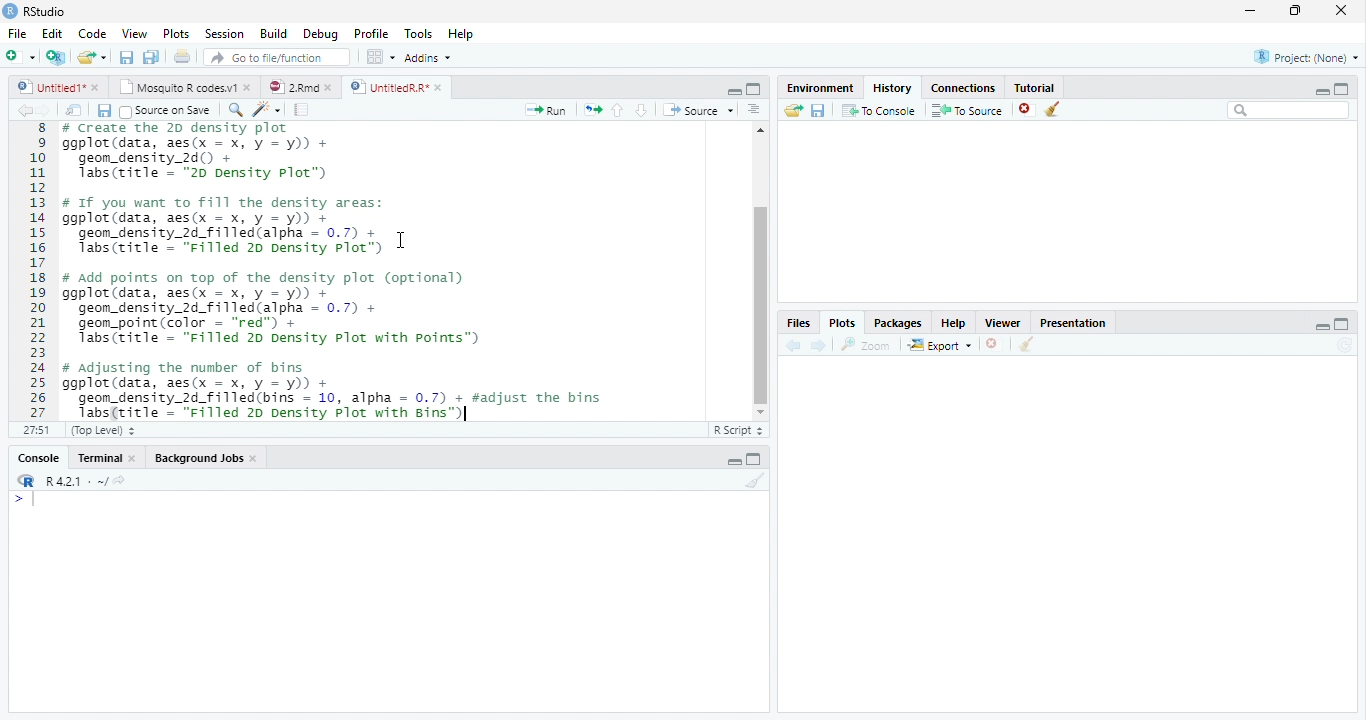  I want to click on Connections, so click(964, 89).